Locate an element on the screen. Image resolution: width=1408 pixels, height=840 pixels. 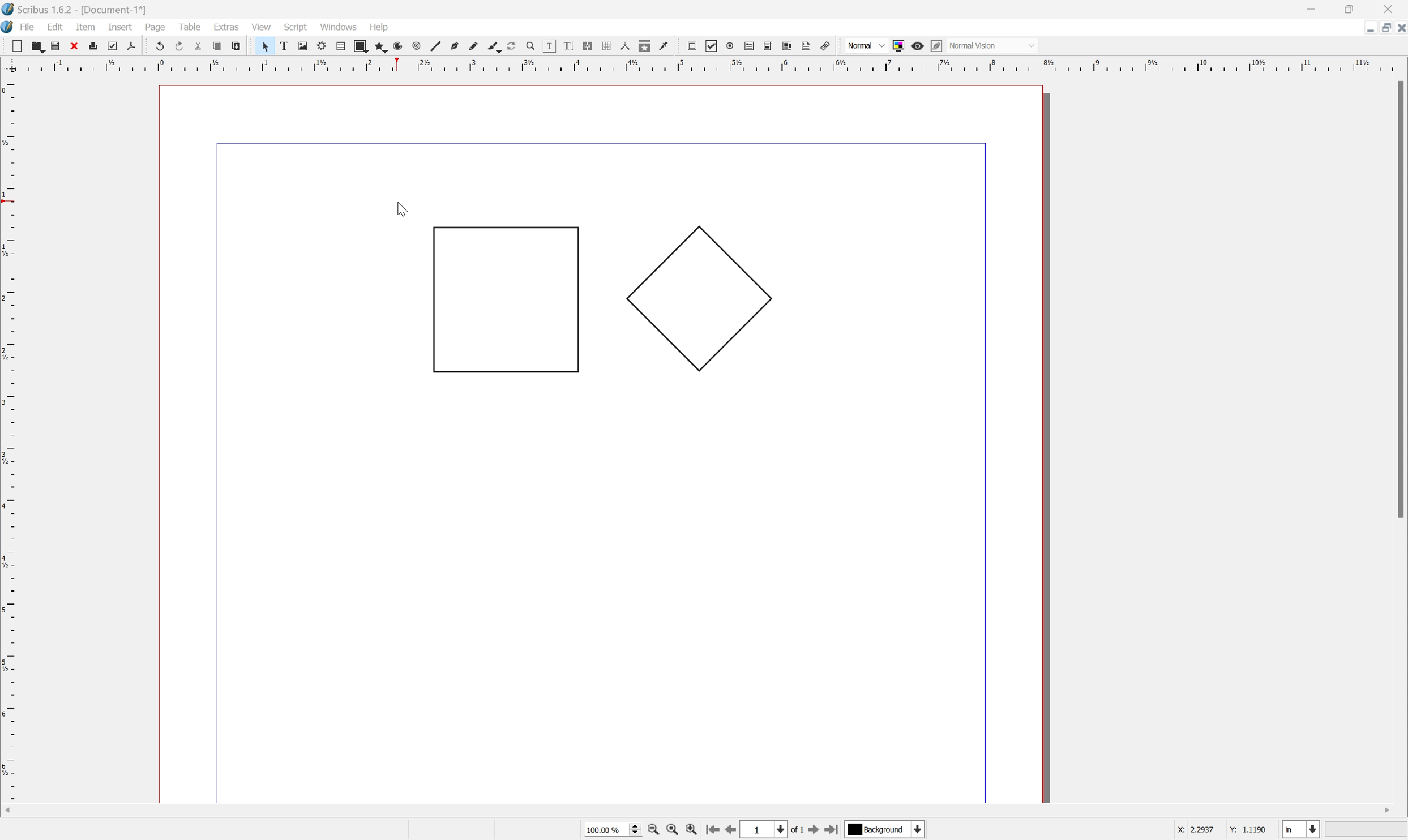
undo is located at coordinates (160, 47).